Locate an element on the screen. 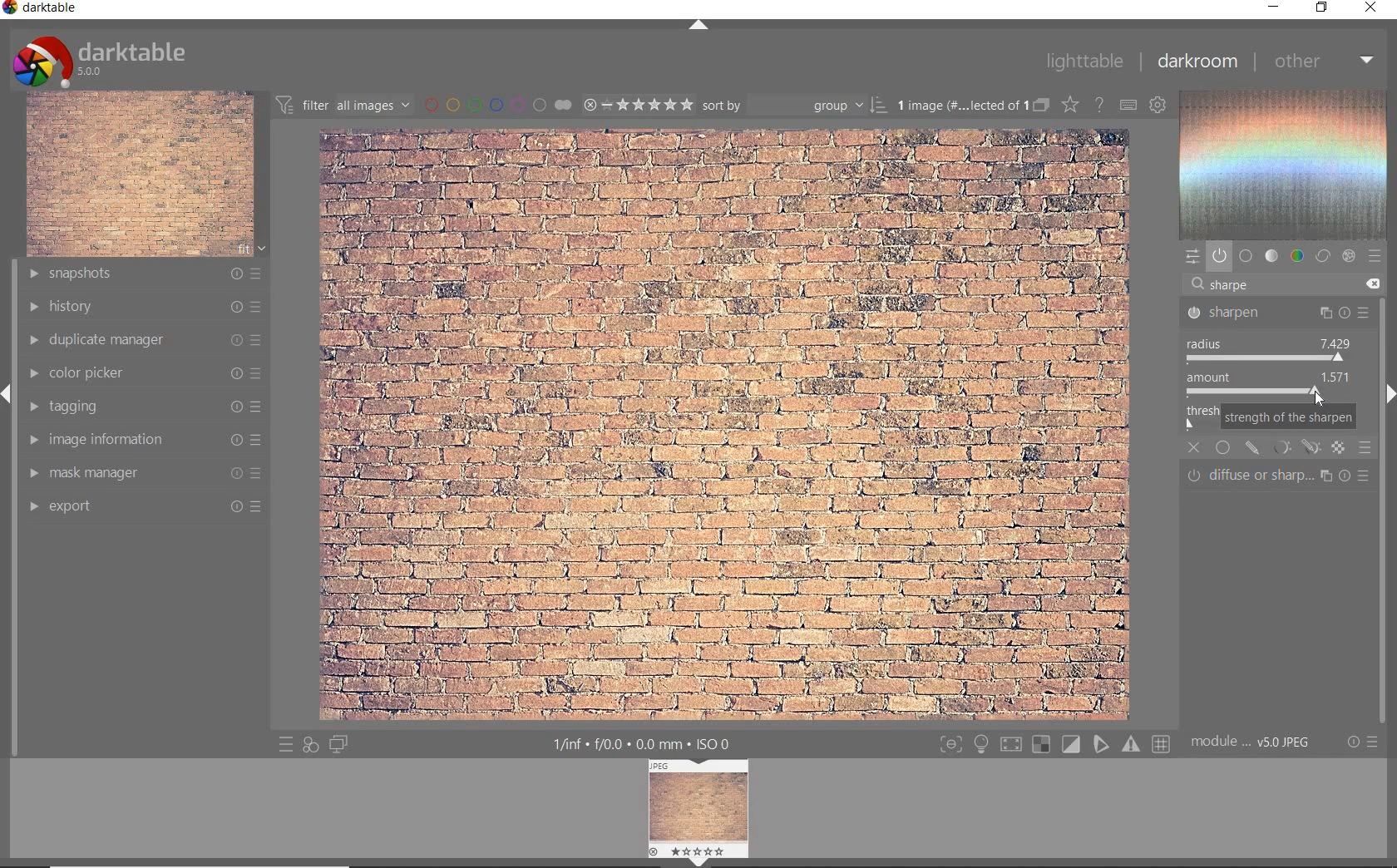  STRENGTH OF THE SHARPEN is located at coordinates (1286, 417).